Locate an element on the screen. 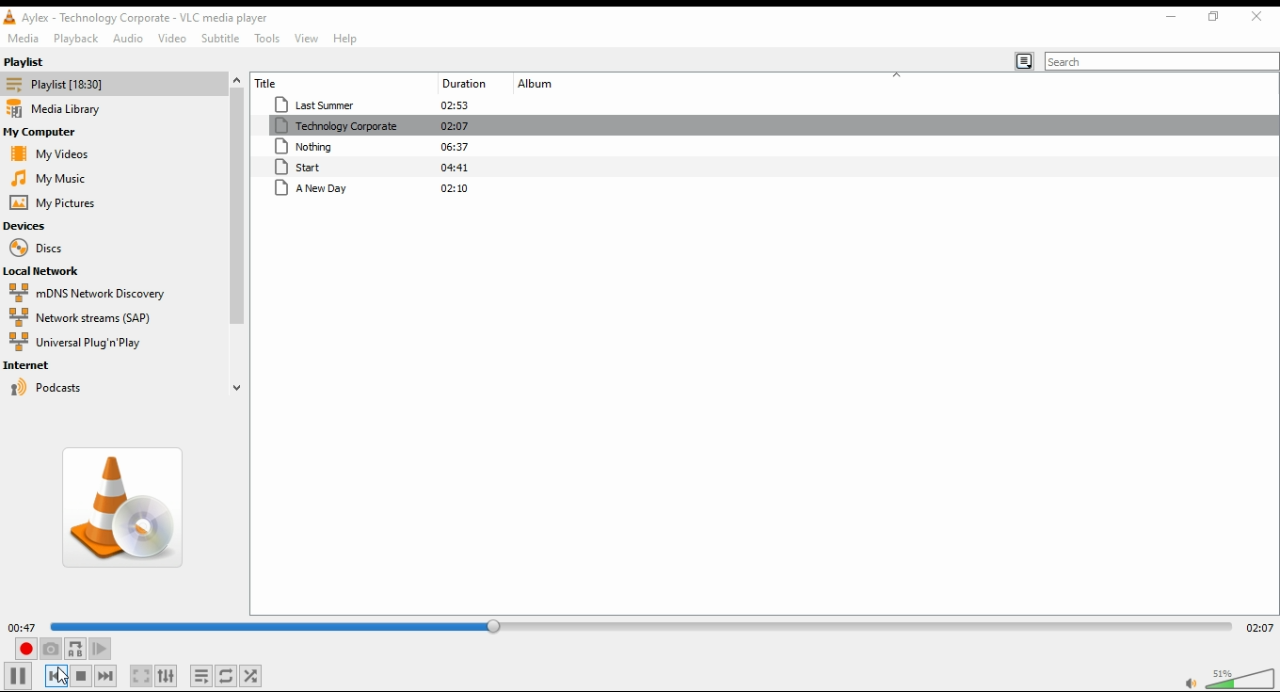 The height and width of the screenshot is (692, 1280). 04:41 is located at coordinates (456, 167).